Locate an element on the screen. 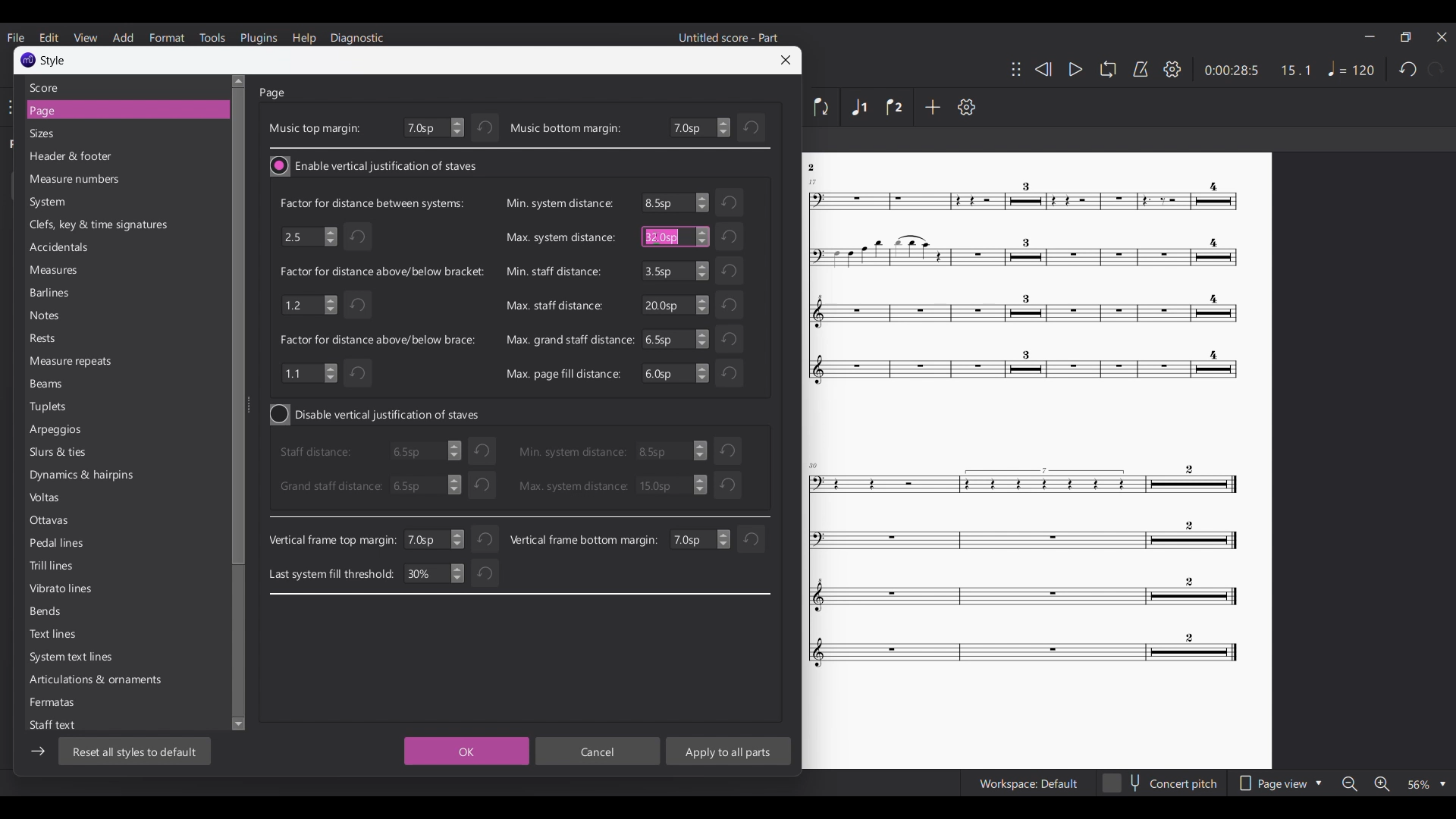  1.2 is located at coordinates (308, 303).